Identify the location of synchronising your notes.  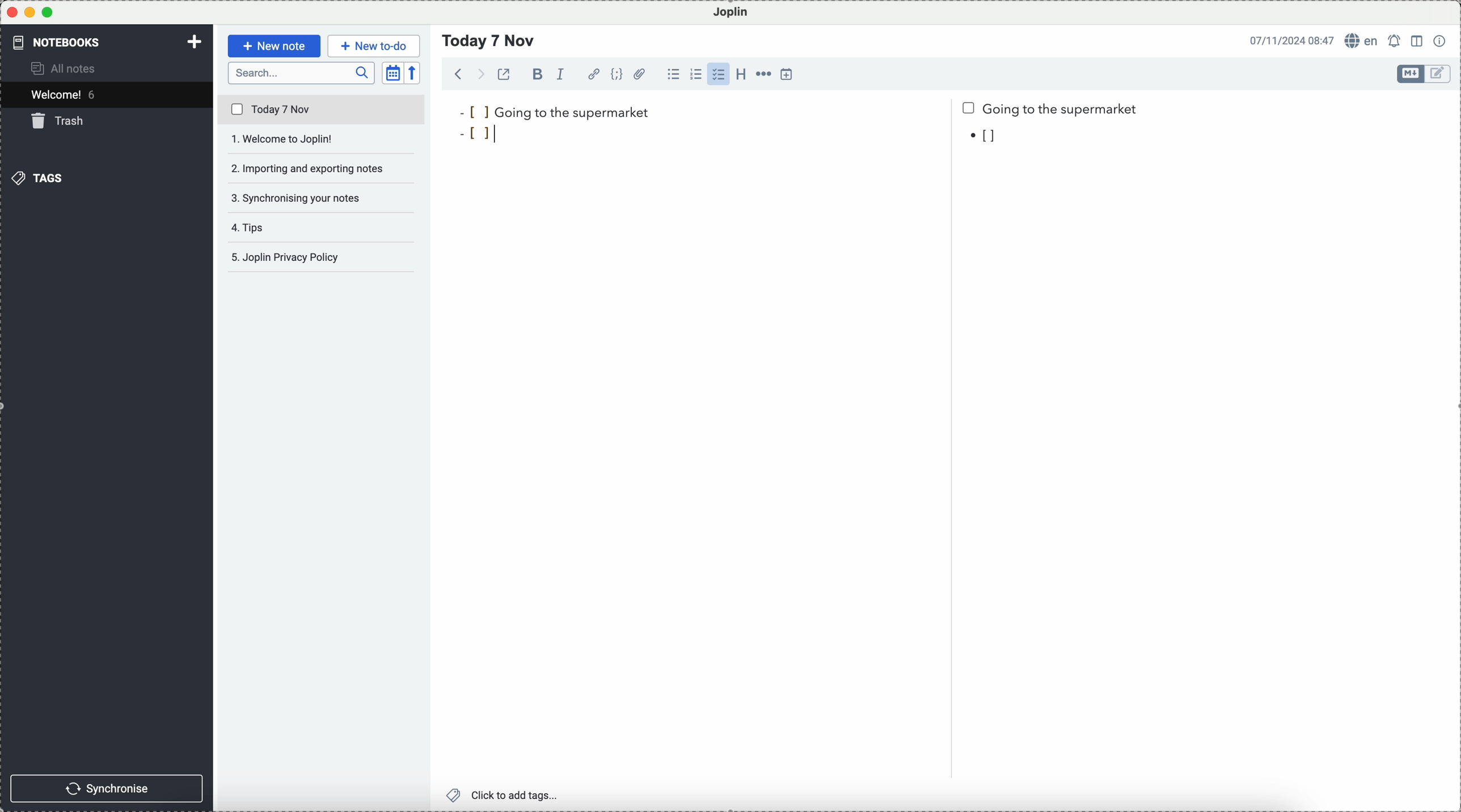
(322, 200).